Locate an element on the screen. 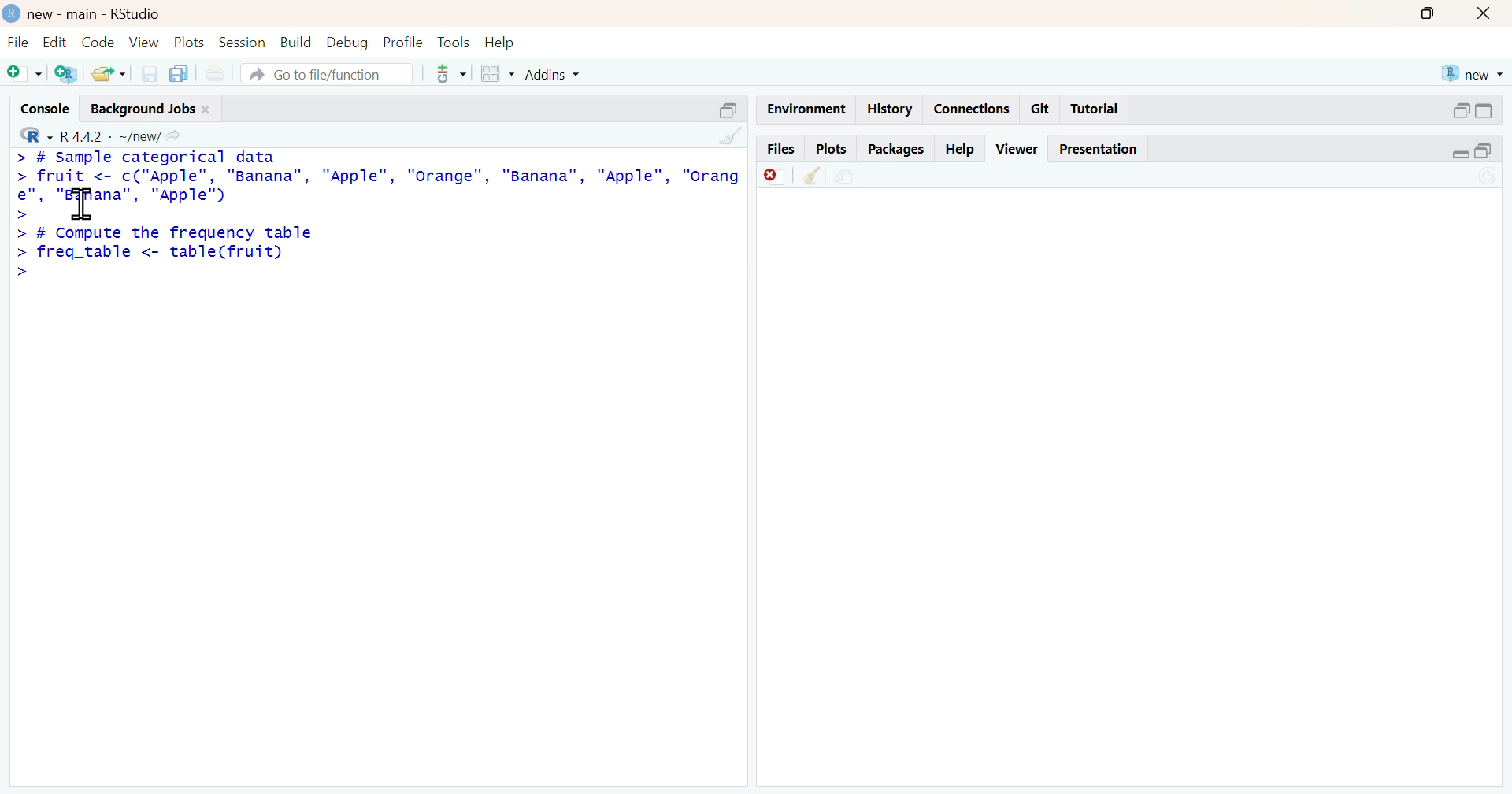  expand is located at coordinates (1455, 154).